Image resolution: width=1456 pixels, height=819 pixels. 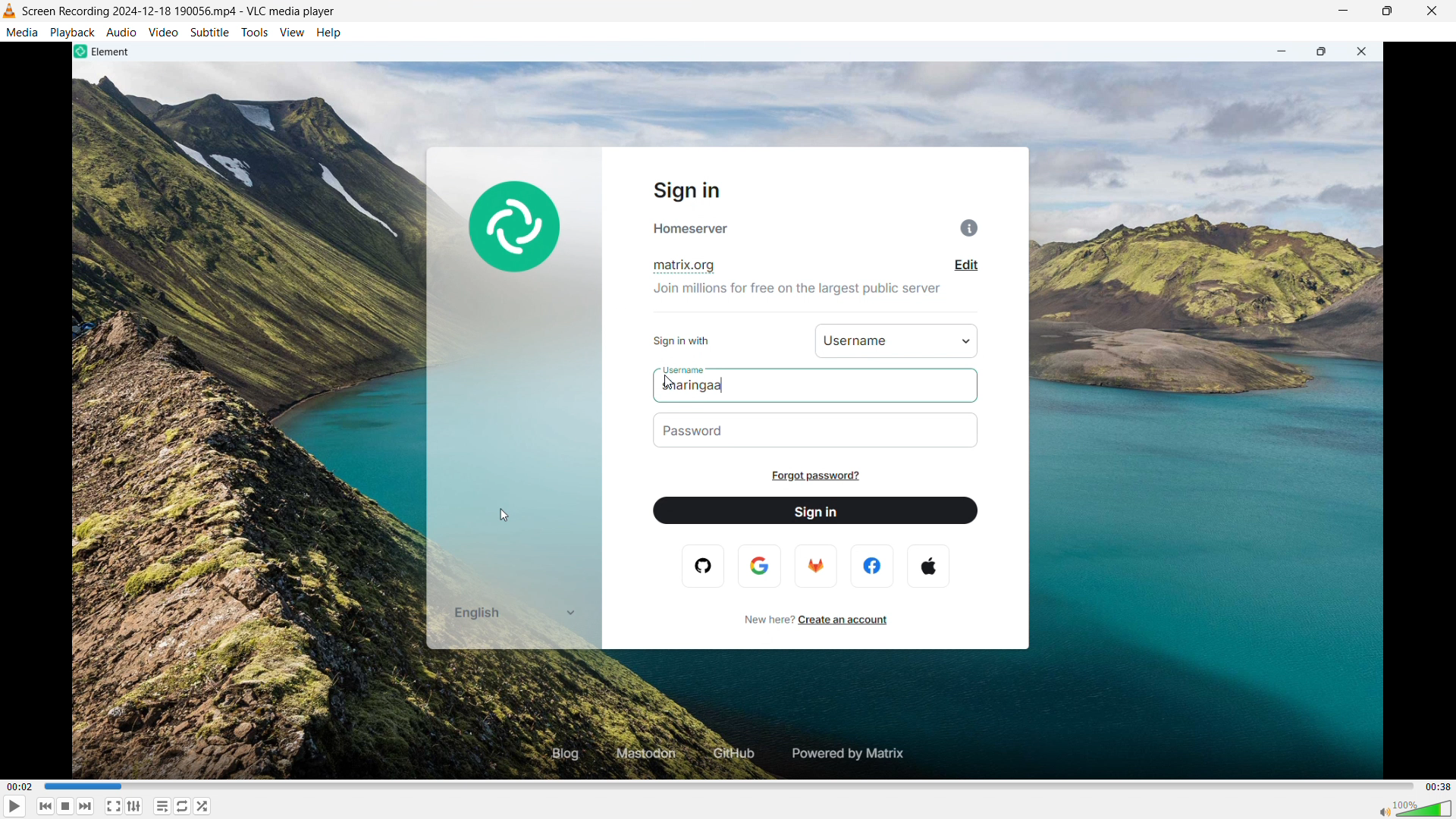 What do you see at coordinates (730, 786) in the screenshot?
I see `time bar` at bounding box center [730, 786].